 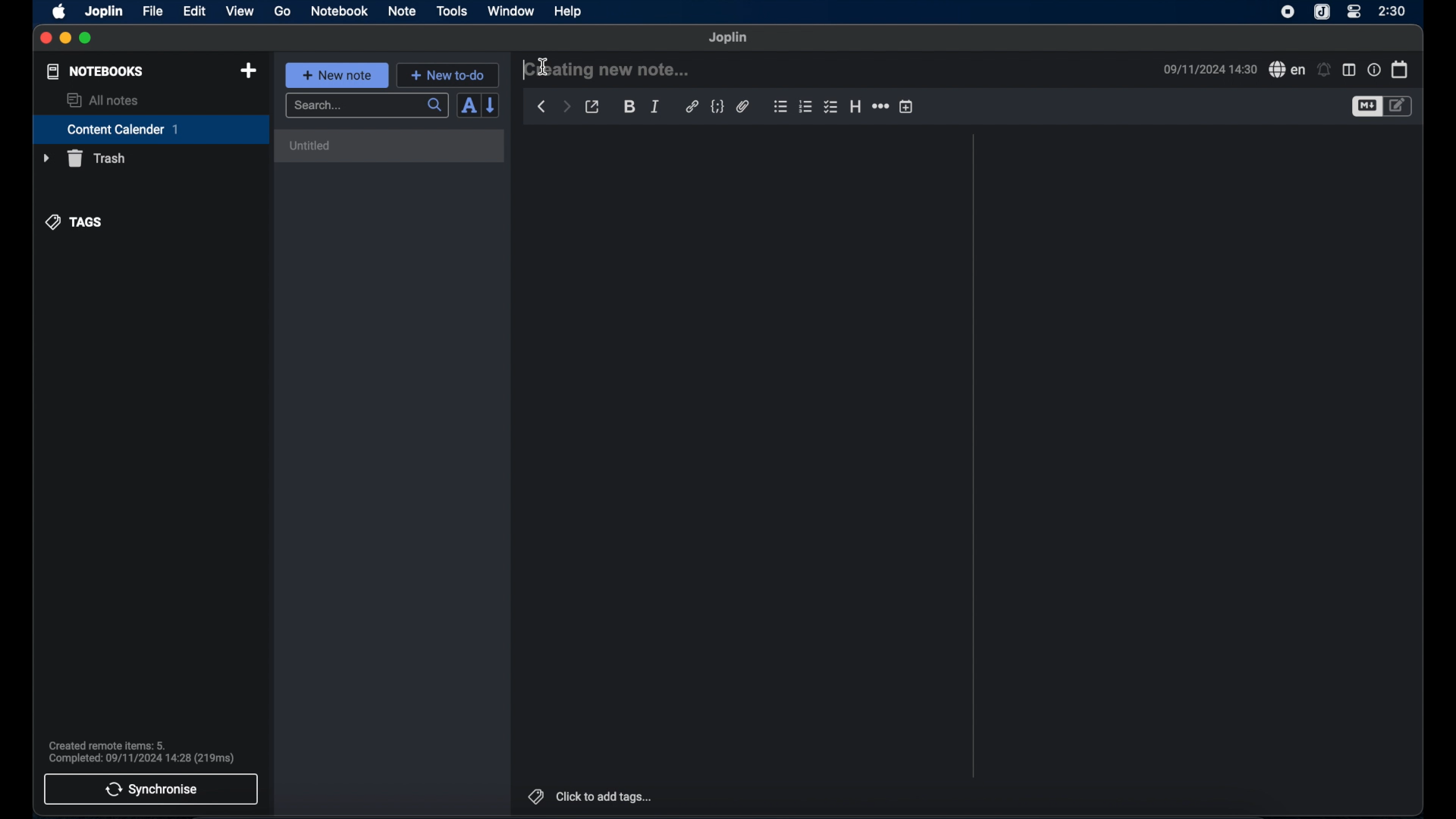 I want to click on spell check, so click(x=1288, y=69).